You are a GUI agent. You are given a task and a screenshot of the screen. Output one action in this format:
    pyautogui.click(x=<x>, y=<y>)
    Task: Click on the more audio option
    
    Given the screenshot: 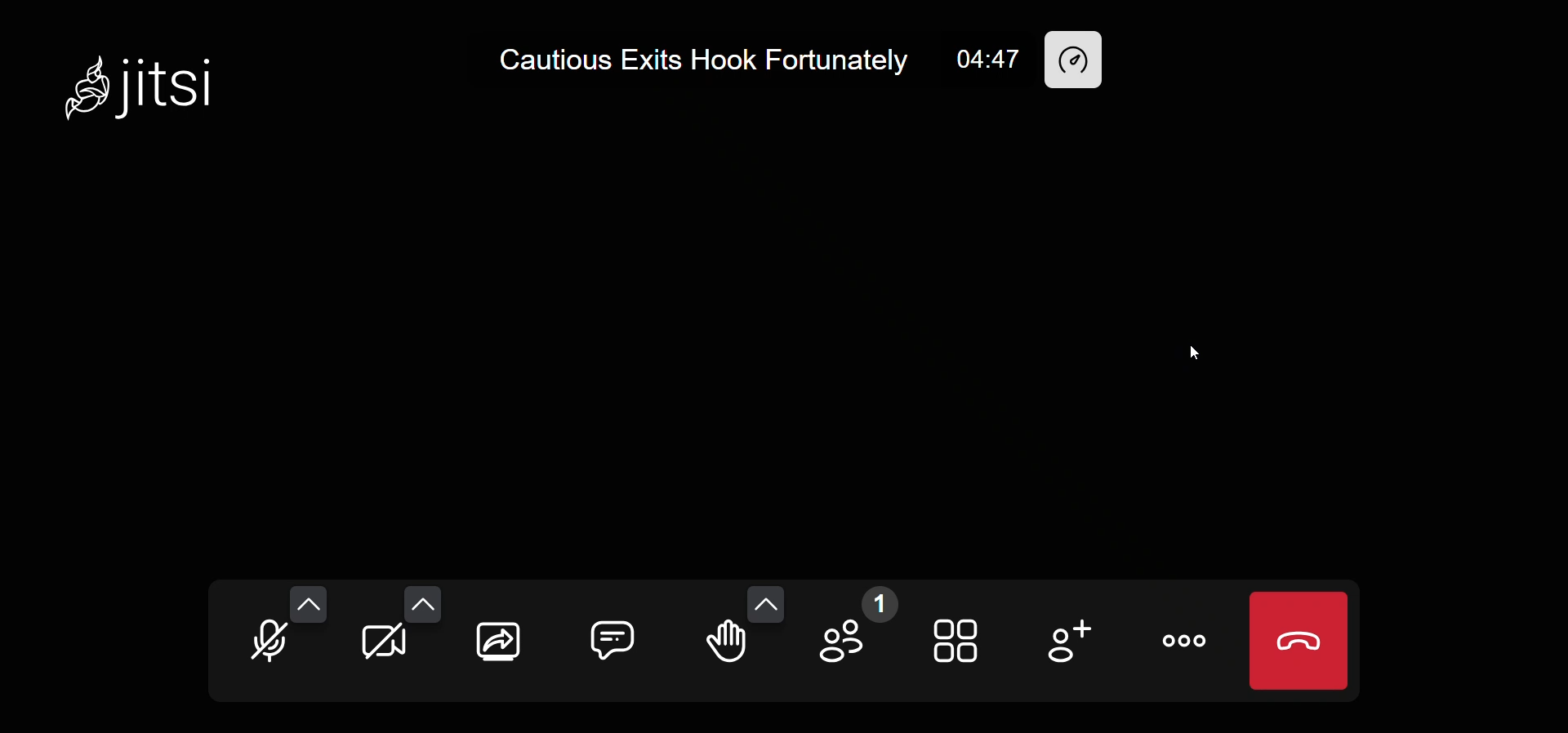 What is the action you would take?
    pyautogui.click(x=305, y=603)
    